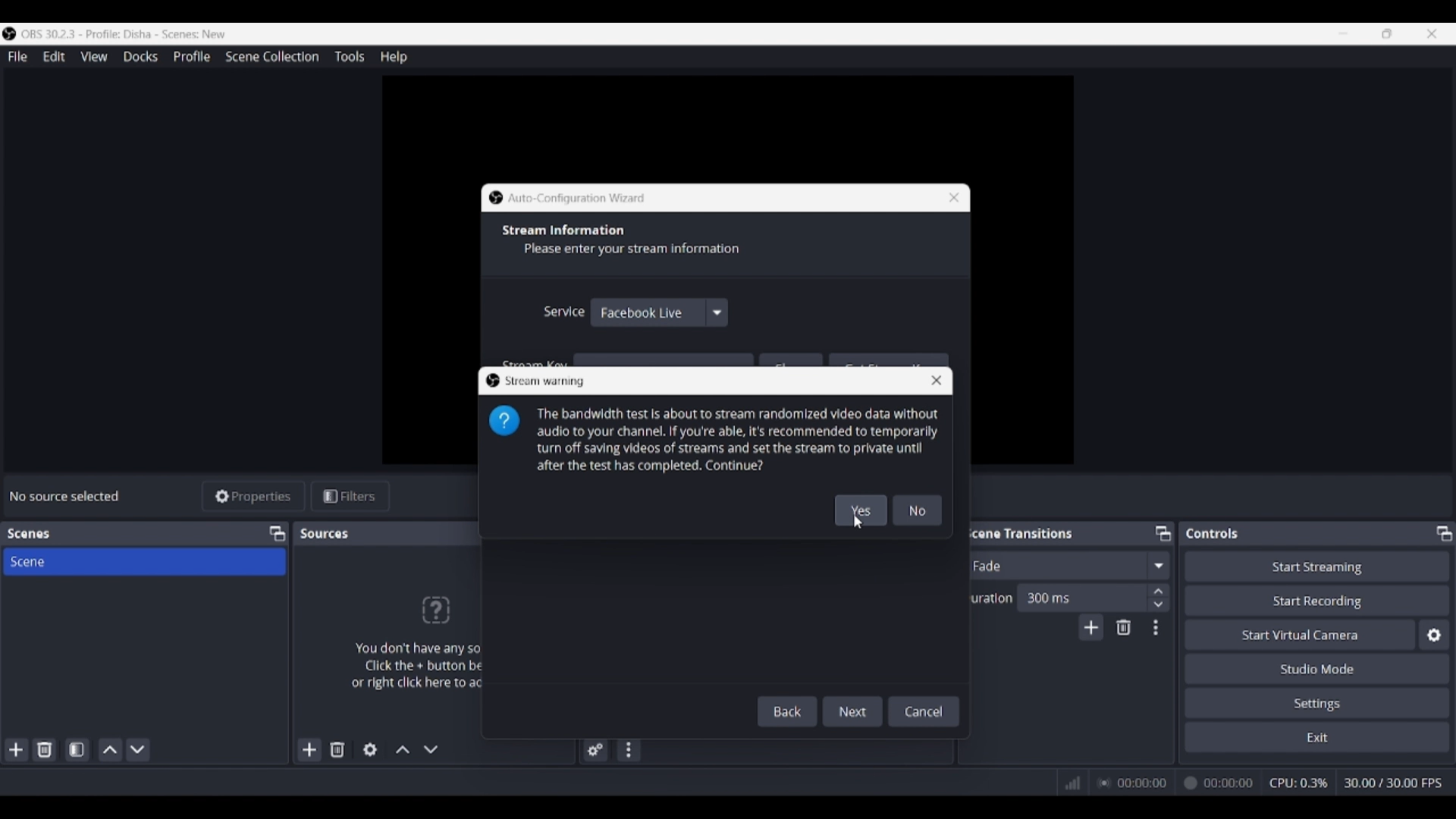 The height and width of the screenshot is (819, 1456). I want to click on Remove configurble transition, so click(1124, 627).